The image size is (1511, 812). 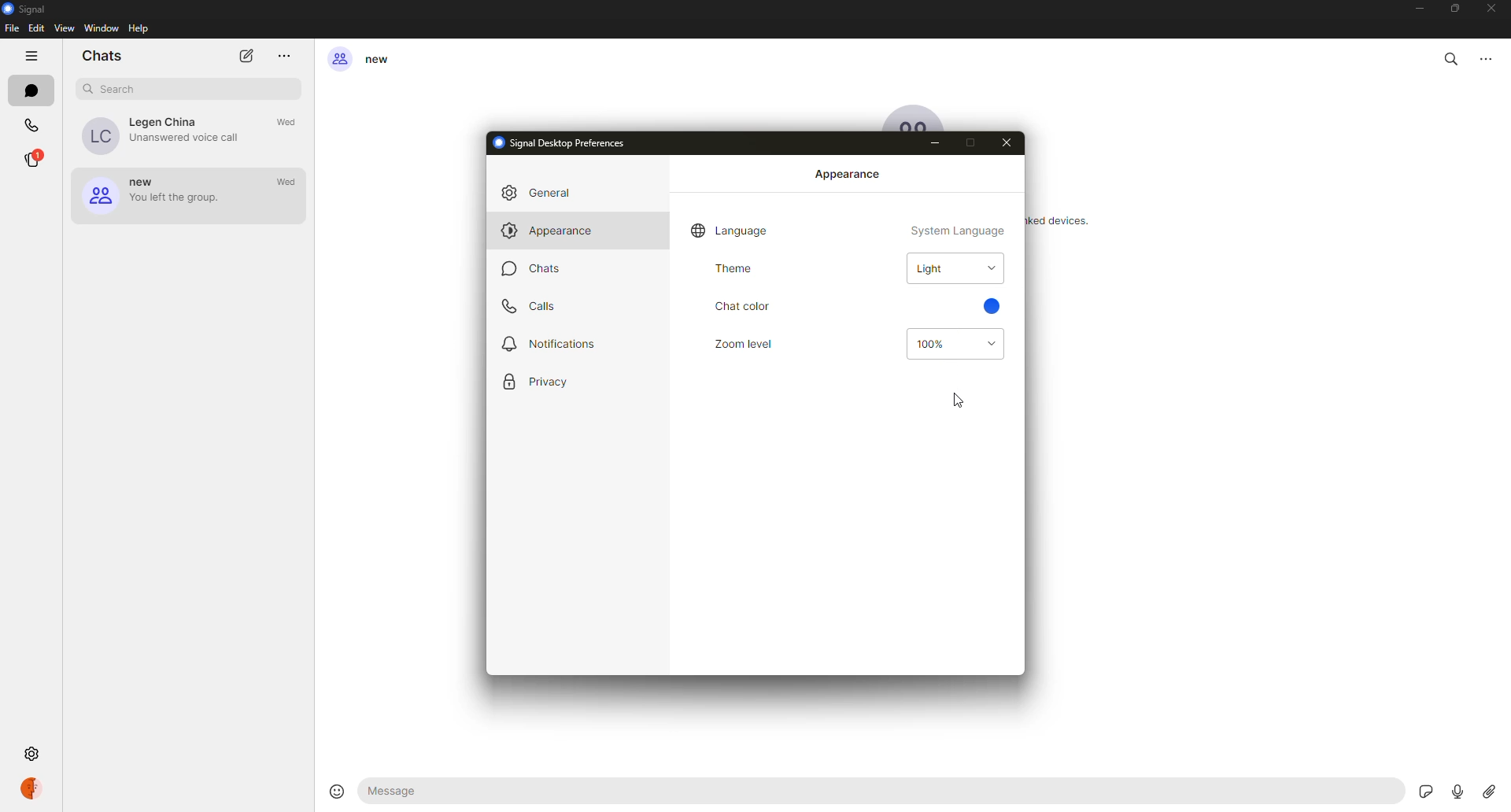 I want to click on new, so click(x=371, y=61).